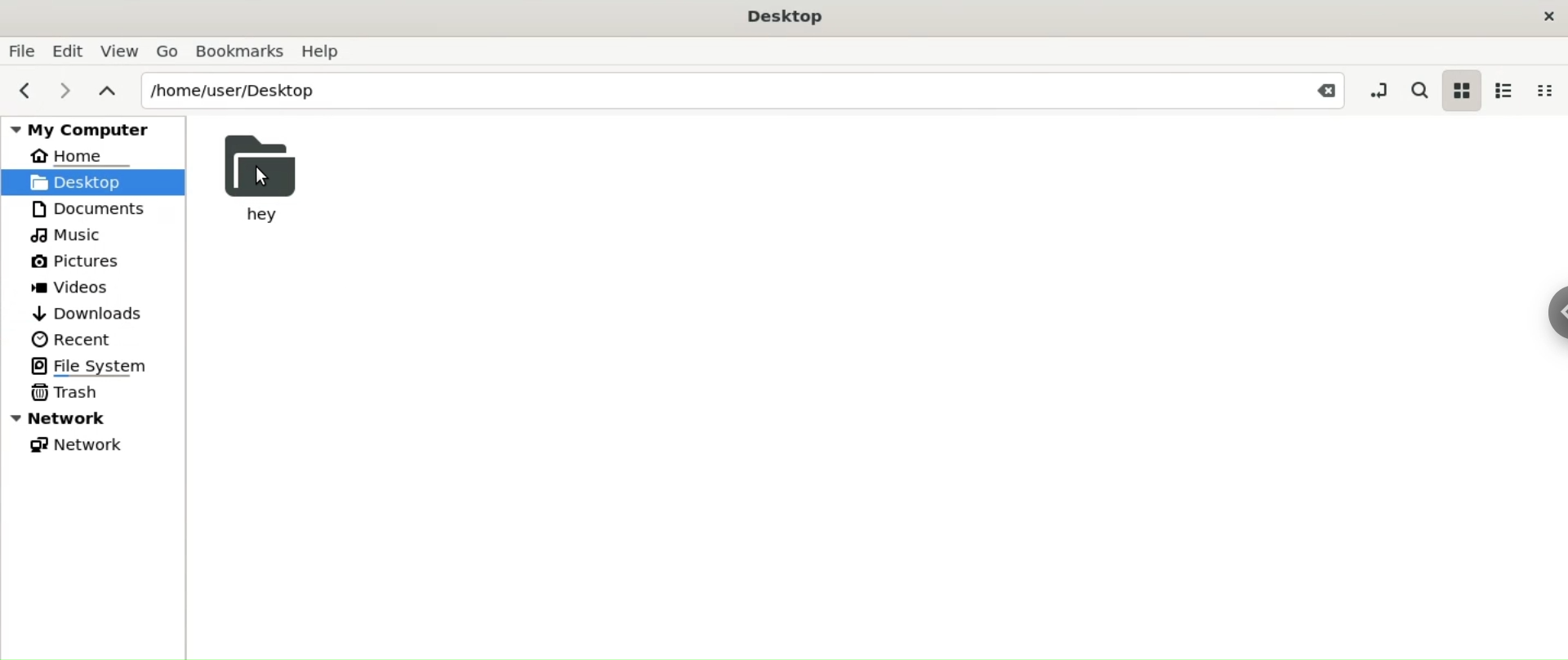  Describe the element at coordinates (83, 288) in the screenshot. I see `Videos` at that location.